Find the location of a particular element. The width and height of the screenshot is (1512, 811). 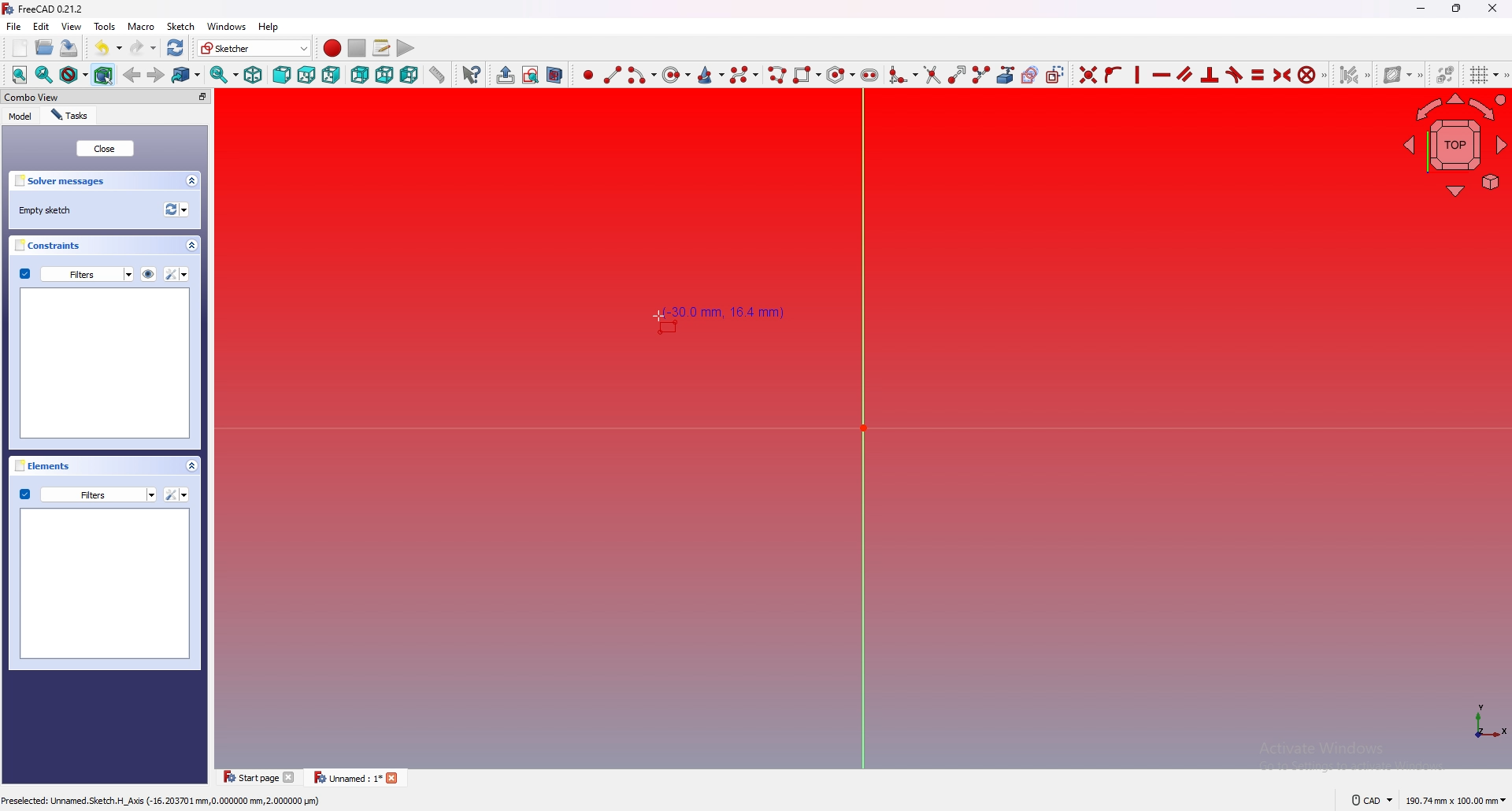

trim edge is located at coordinates (932, 75).